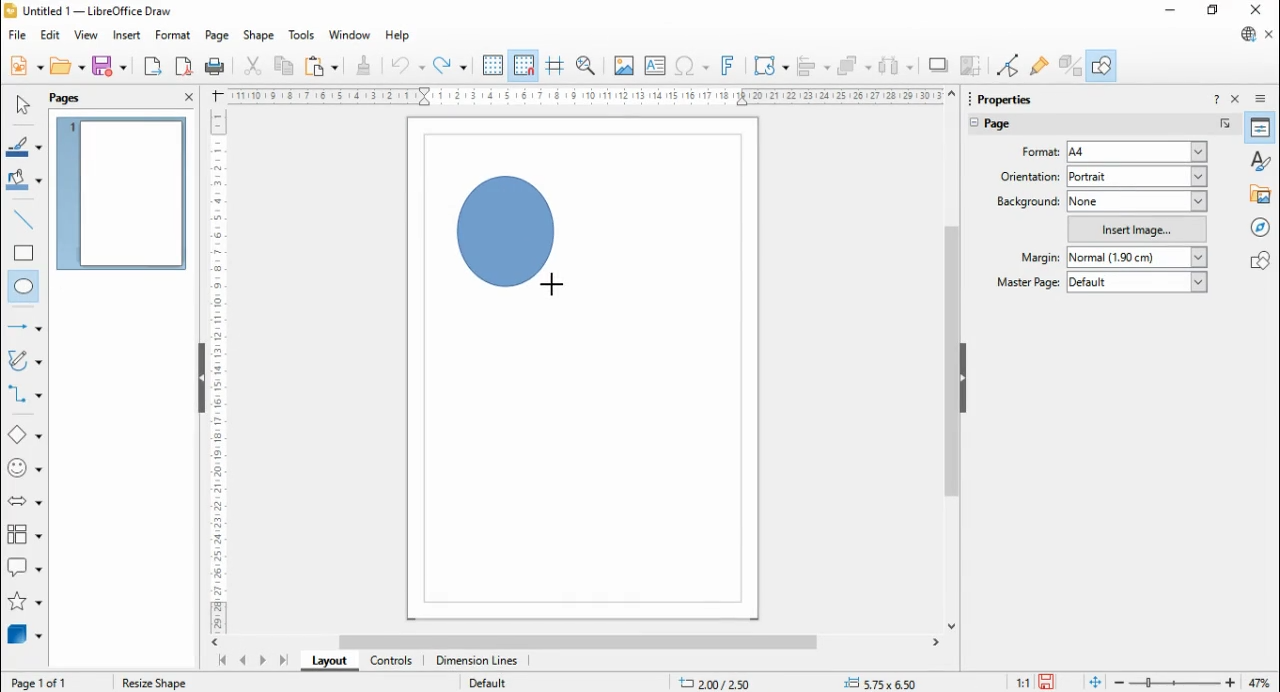 The image size is (1280, 692). Describe the element at coordinates (86, 35) in the screenshot. I see `view` at that location.